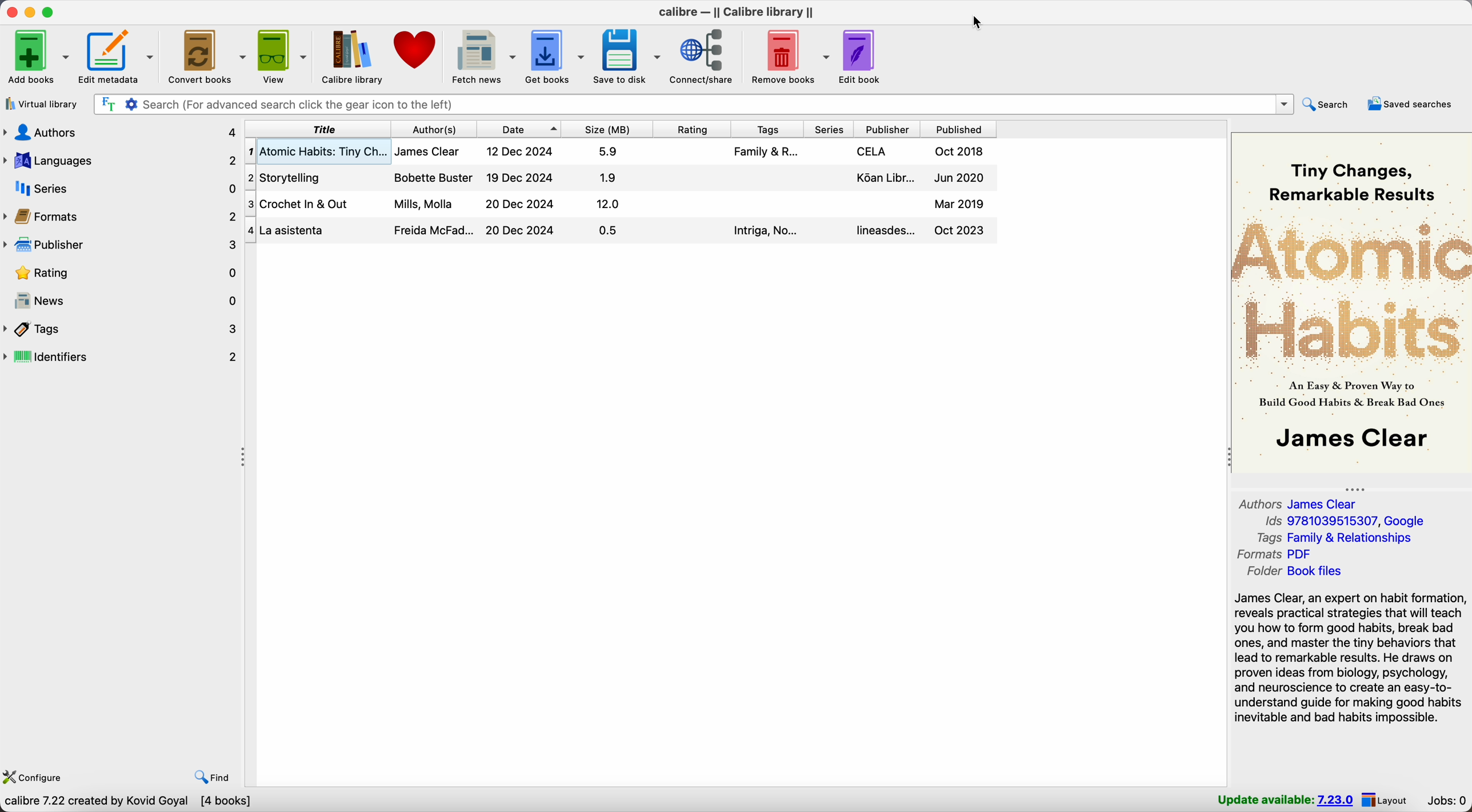 This screenshot has width=1472, height=812. I want to click on series, so click(829, 130).